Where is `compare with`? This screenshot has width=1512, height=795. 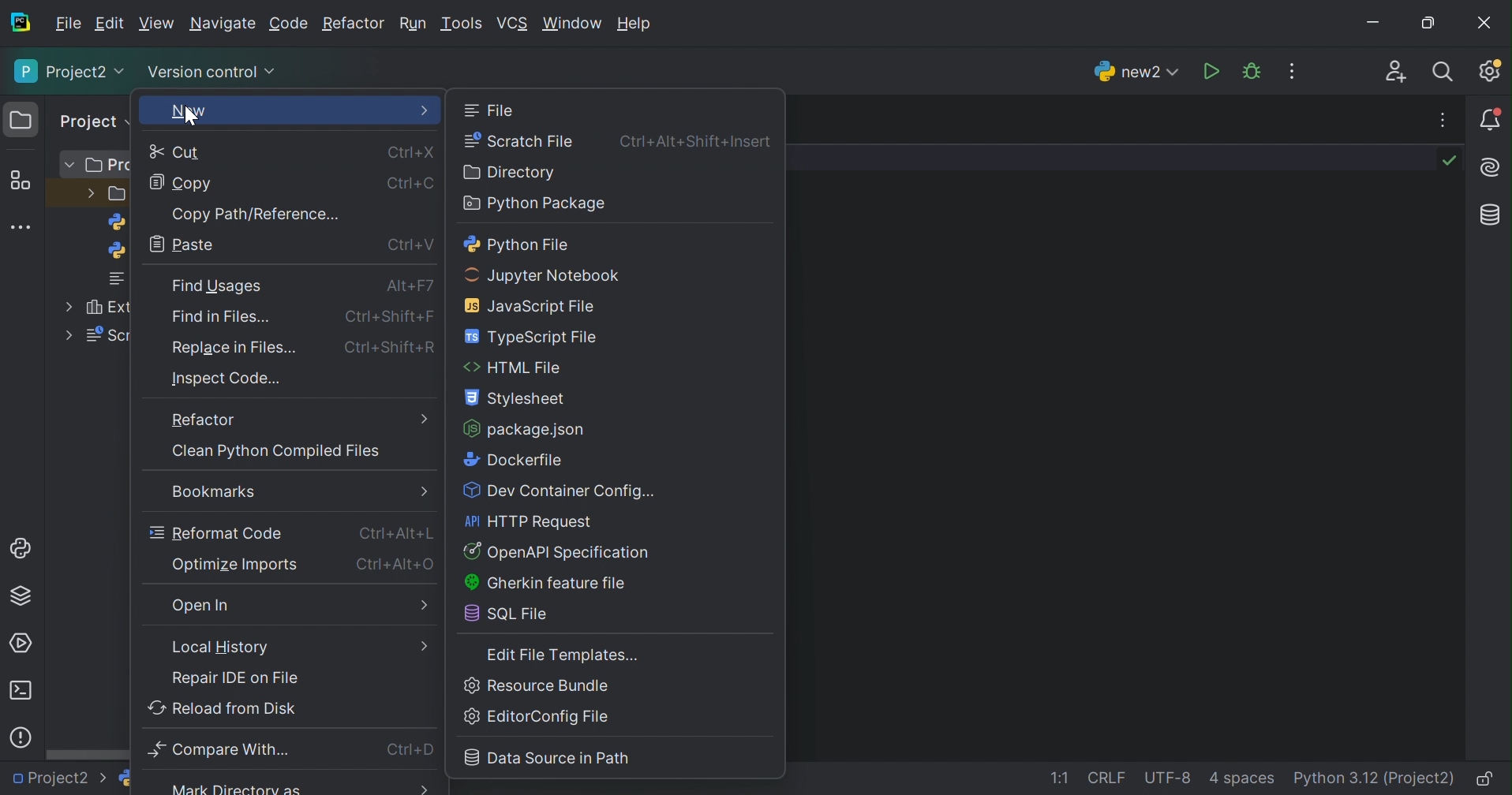 compare with is located at coordinates (223, 749).